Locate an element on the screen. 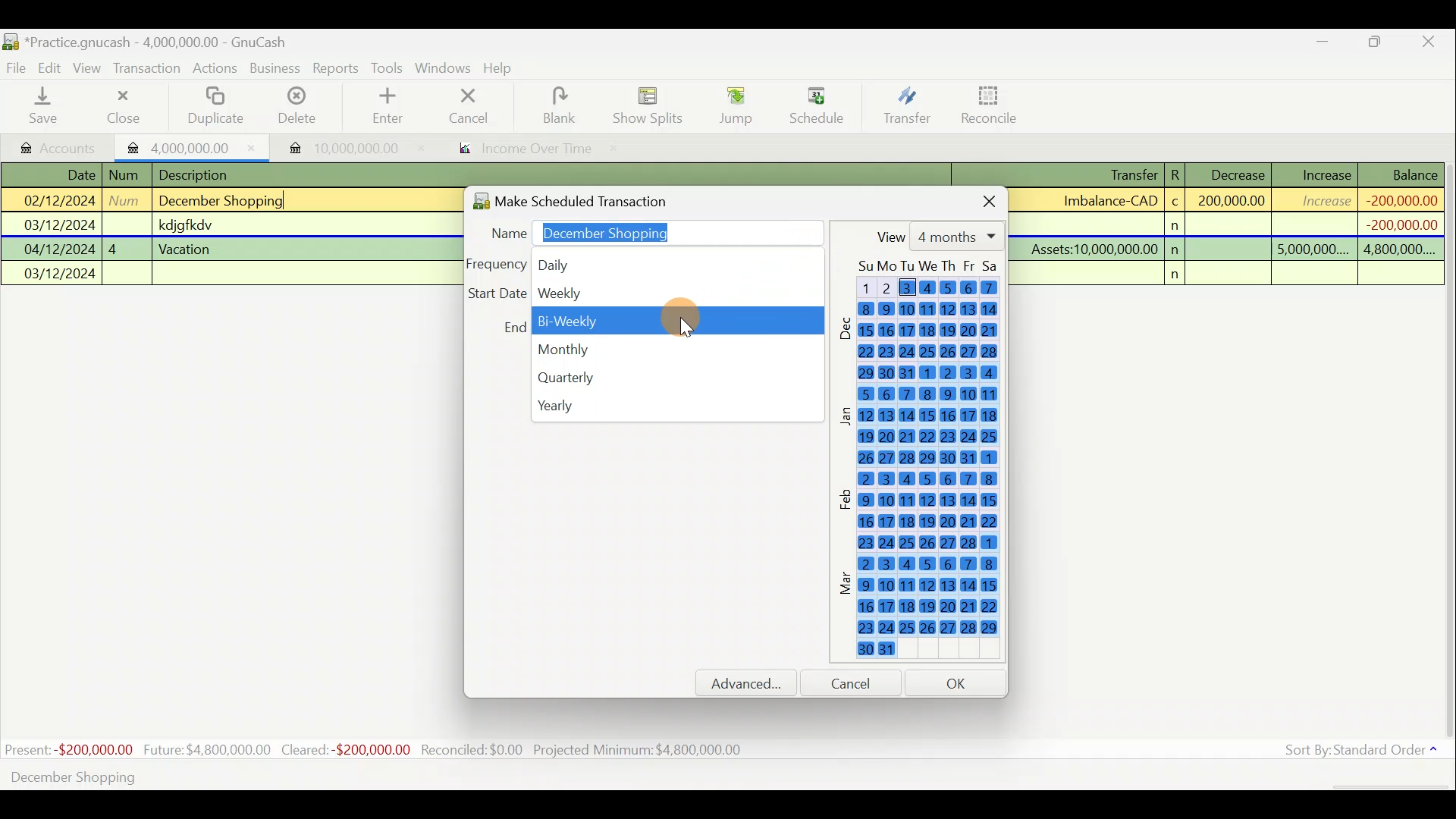 The width and height of the screenshot is (1456, 819). Jump is located at coordinates (731, 105).